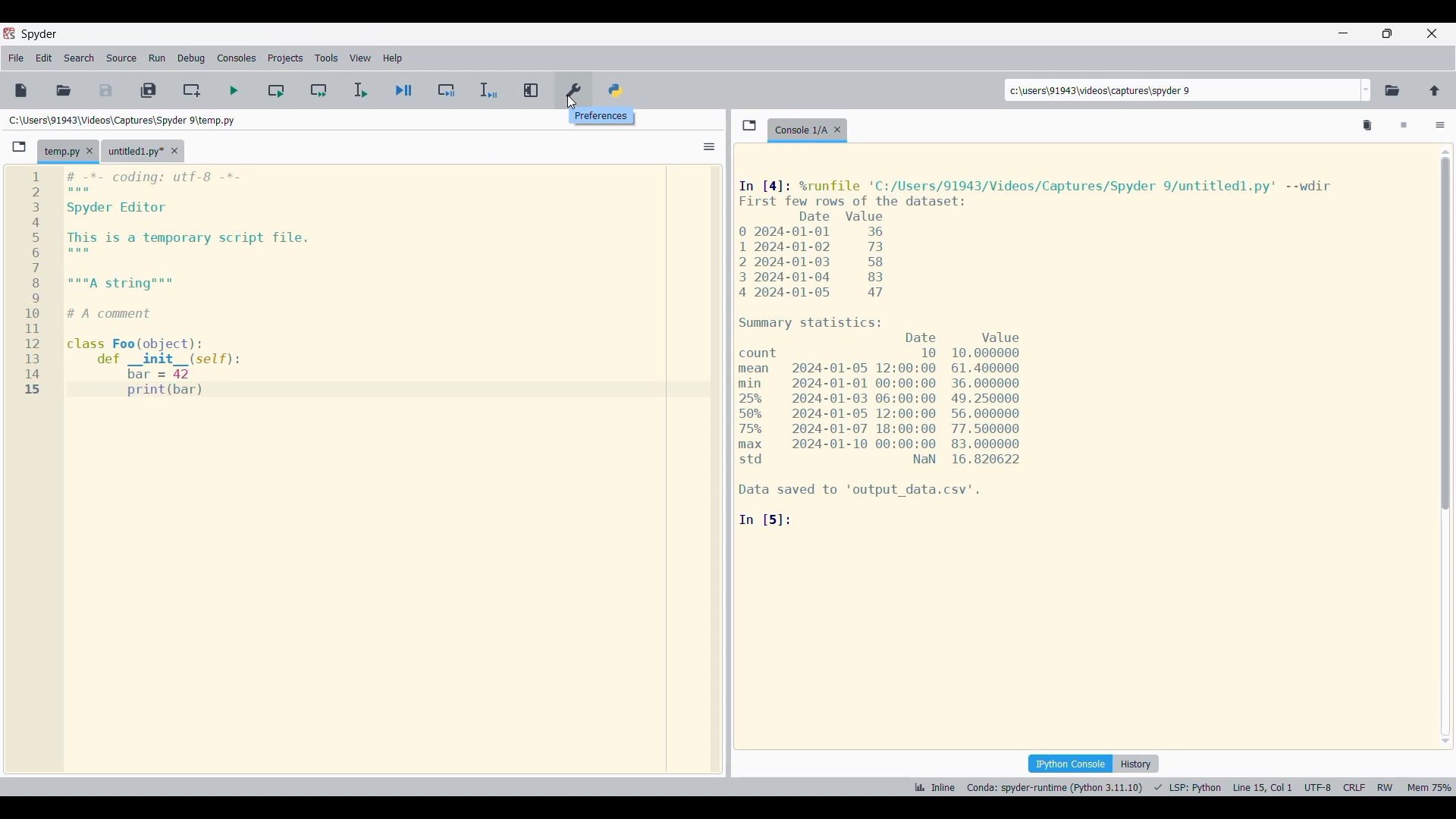  Describe the element at coordinates (143, 151) in the screenshot. I see `Other tab` at that location.